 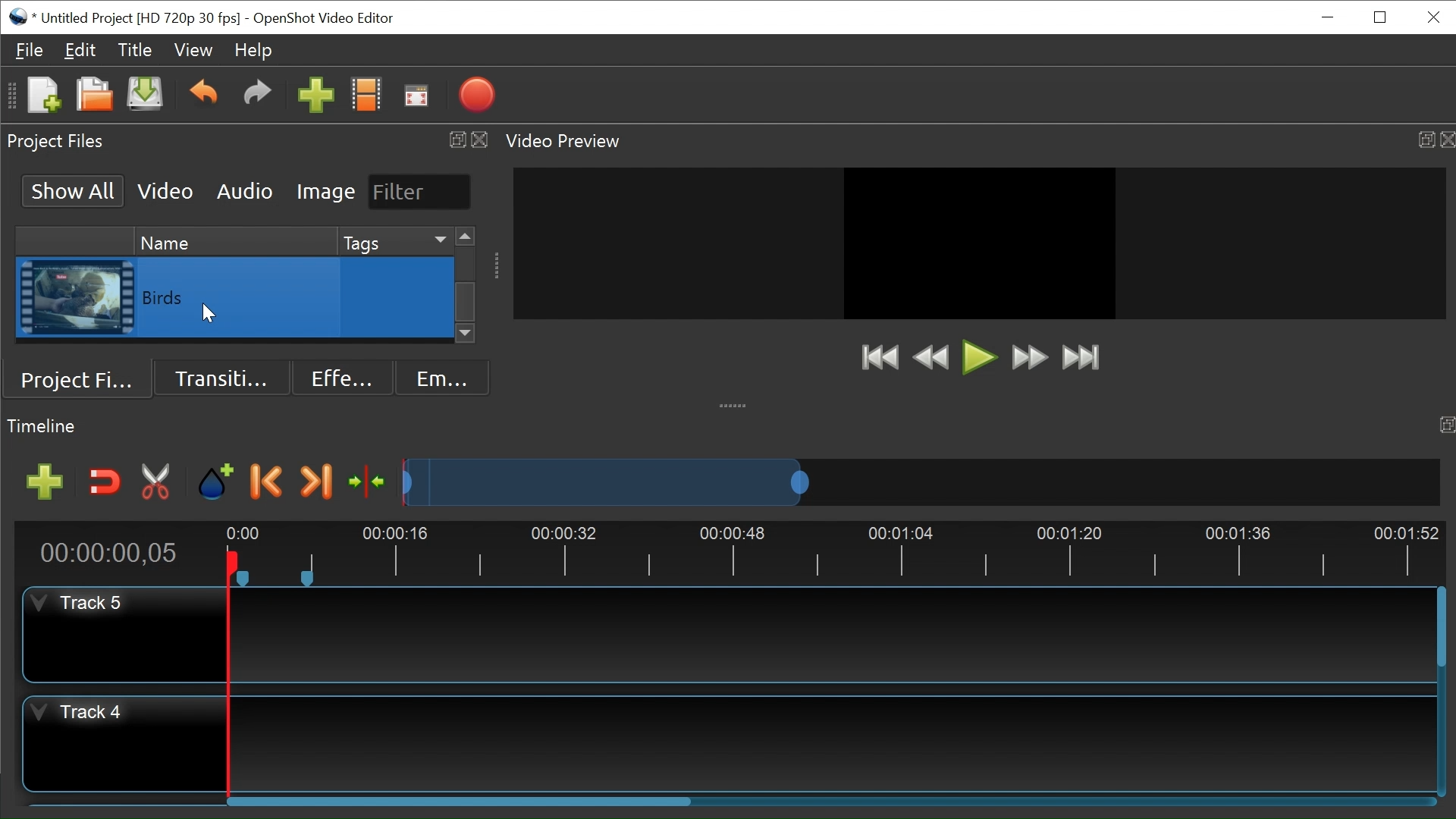 I want to click on Edit, so click(x=81, y=52).